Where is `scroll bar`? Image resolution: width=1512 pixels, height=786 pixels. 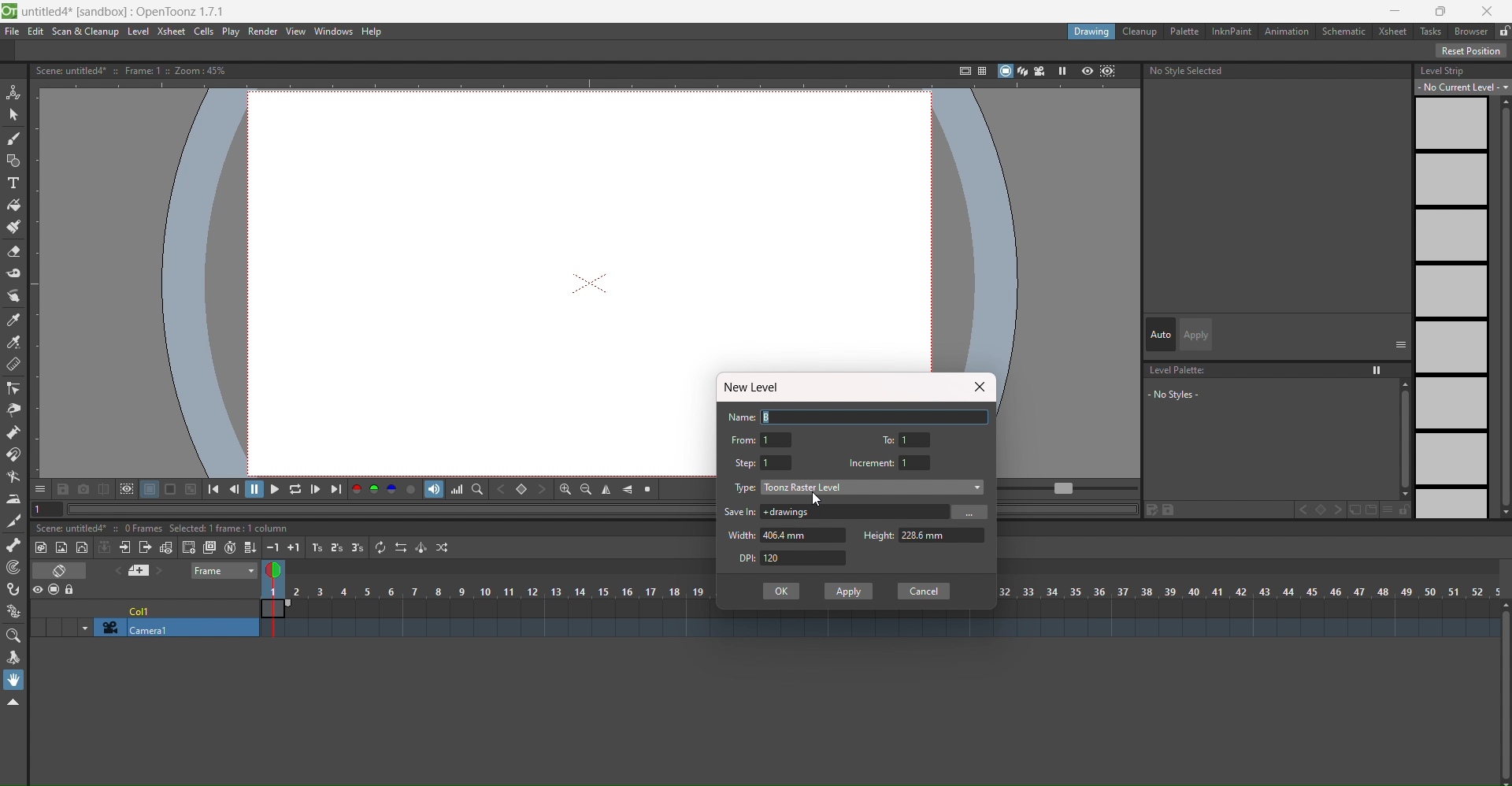 scroll bar is located at coordinates (1400, 439).